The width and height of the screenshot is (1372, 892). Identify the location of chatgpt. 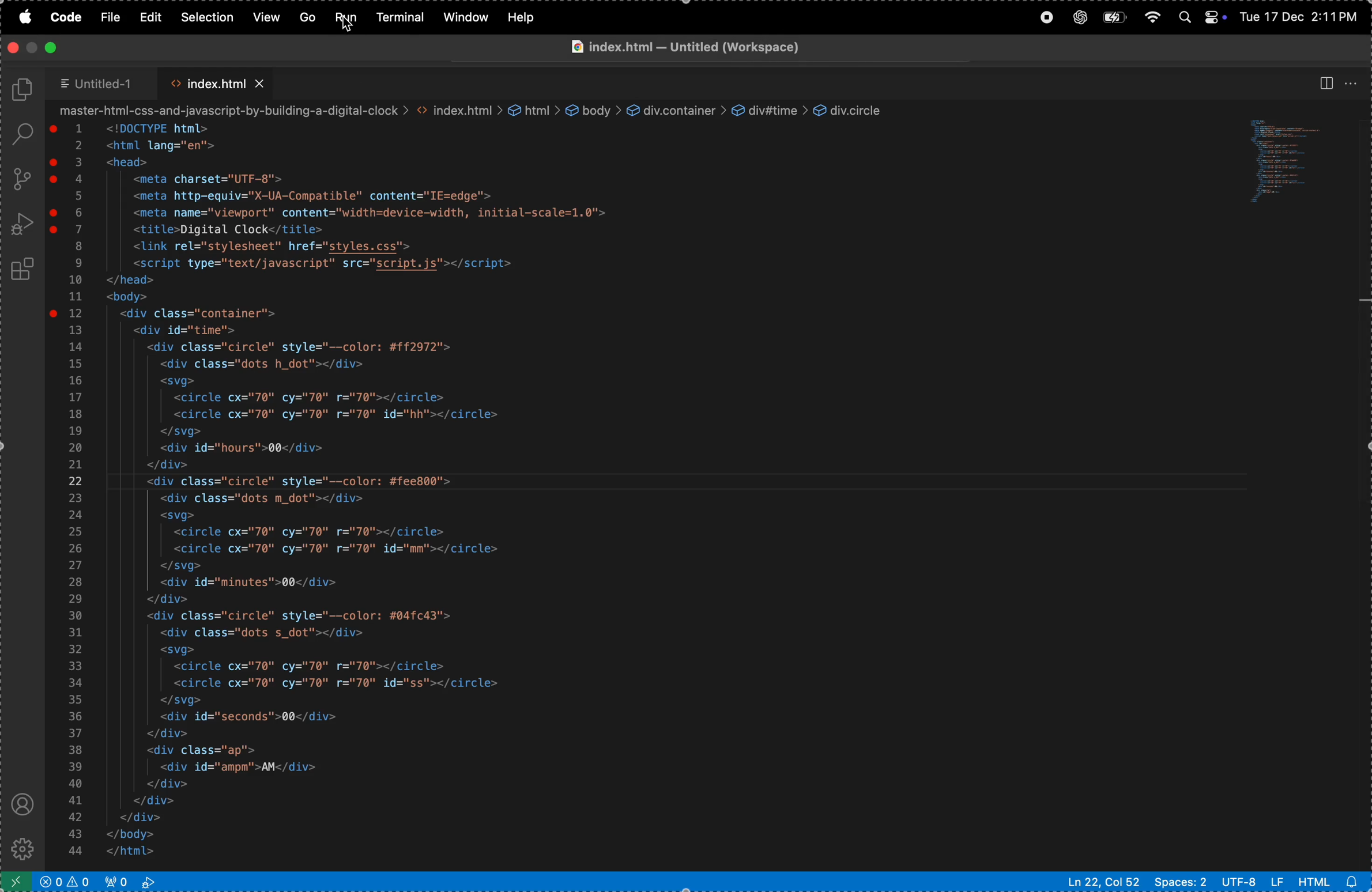
(1076, 17).